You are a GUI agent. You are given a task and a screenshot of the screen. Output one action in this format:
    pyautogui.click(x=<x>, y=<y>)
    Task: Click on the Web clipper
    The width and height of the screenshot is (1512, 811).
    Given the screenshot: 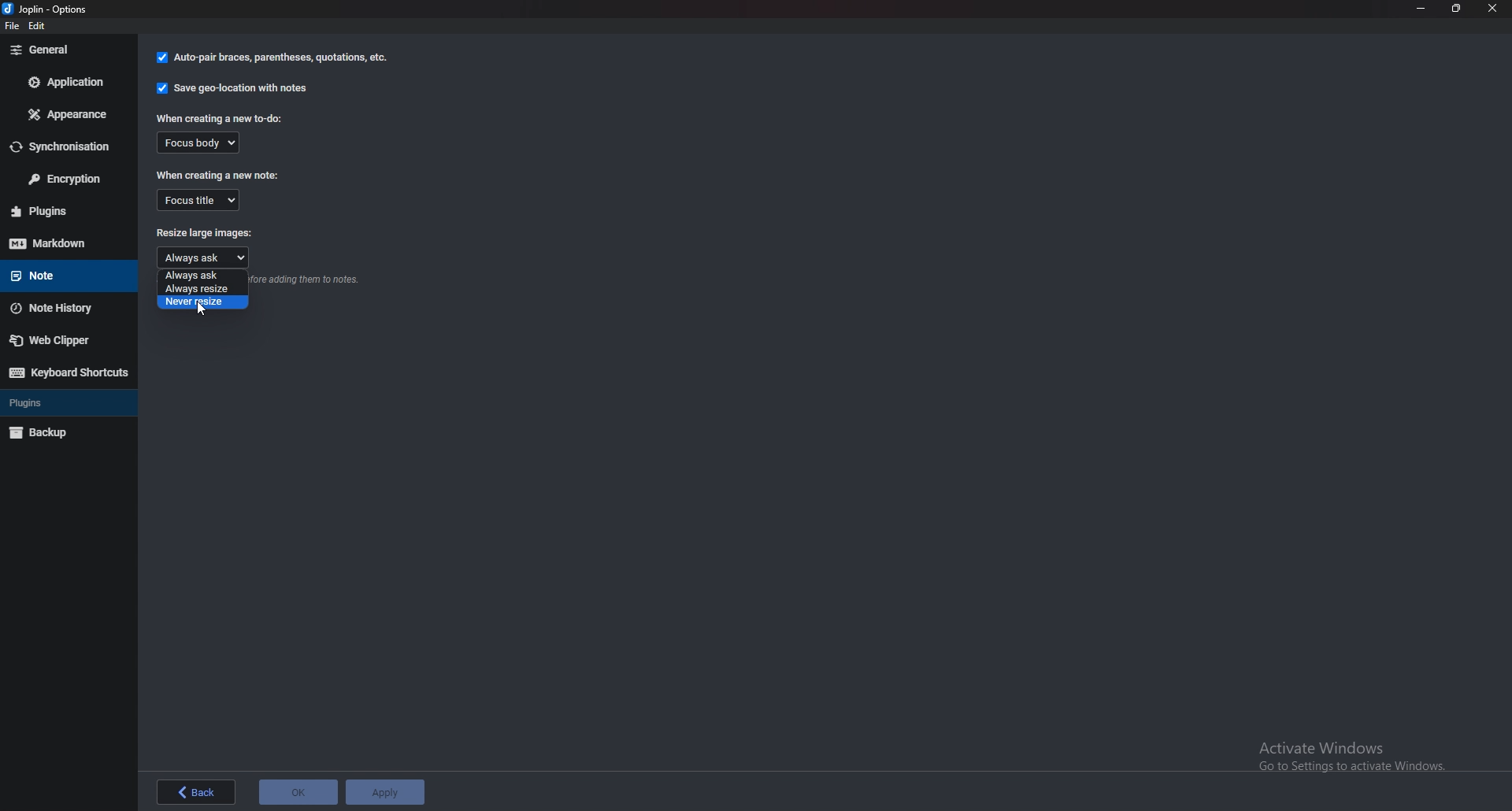 What is the action you would take?
    pyautogui.click(x=64, y=339)
    